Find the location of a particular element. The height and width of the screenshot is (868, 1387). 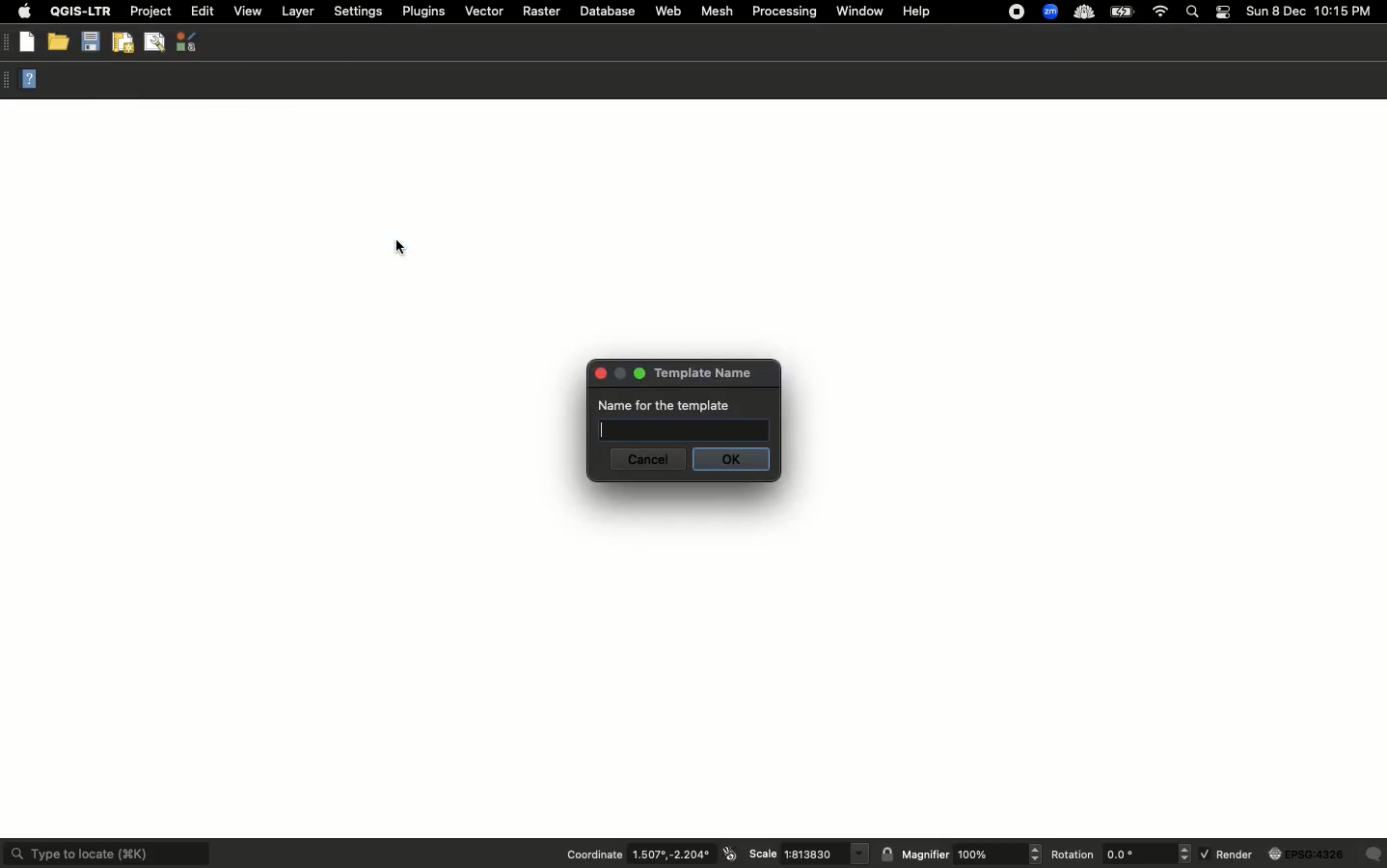

coordinates is located at coordinates (670, 855).